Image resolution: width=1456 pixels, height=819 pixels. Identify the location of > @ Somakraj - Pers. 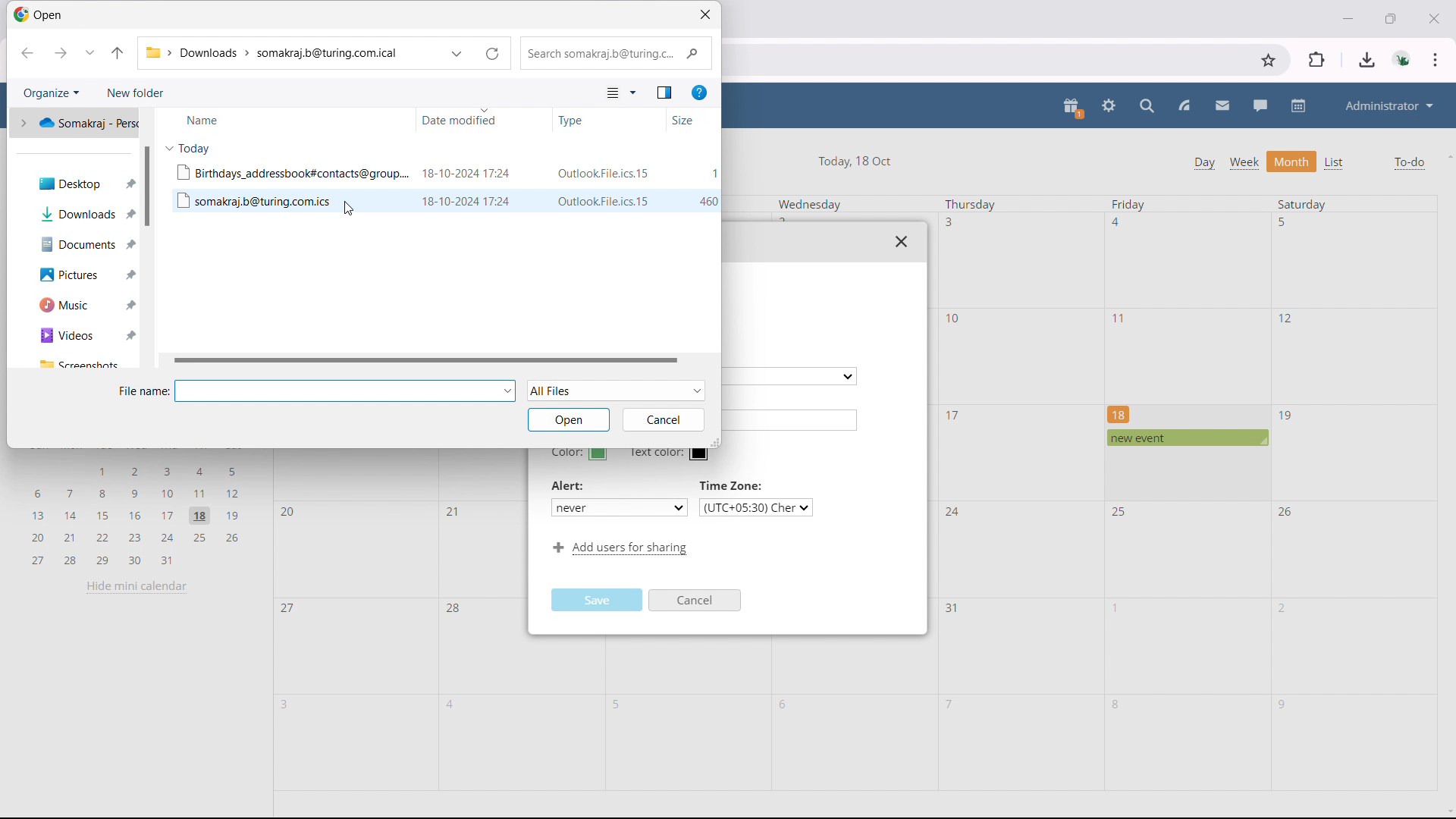
(75, 121).